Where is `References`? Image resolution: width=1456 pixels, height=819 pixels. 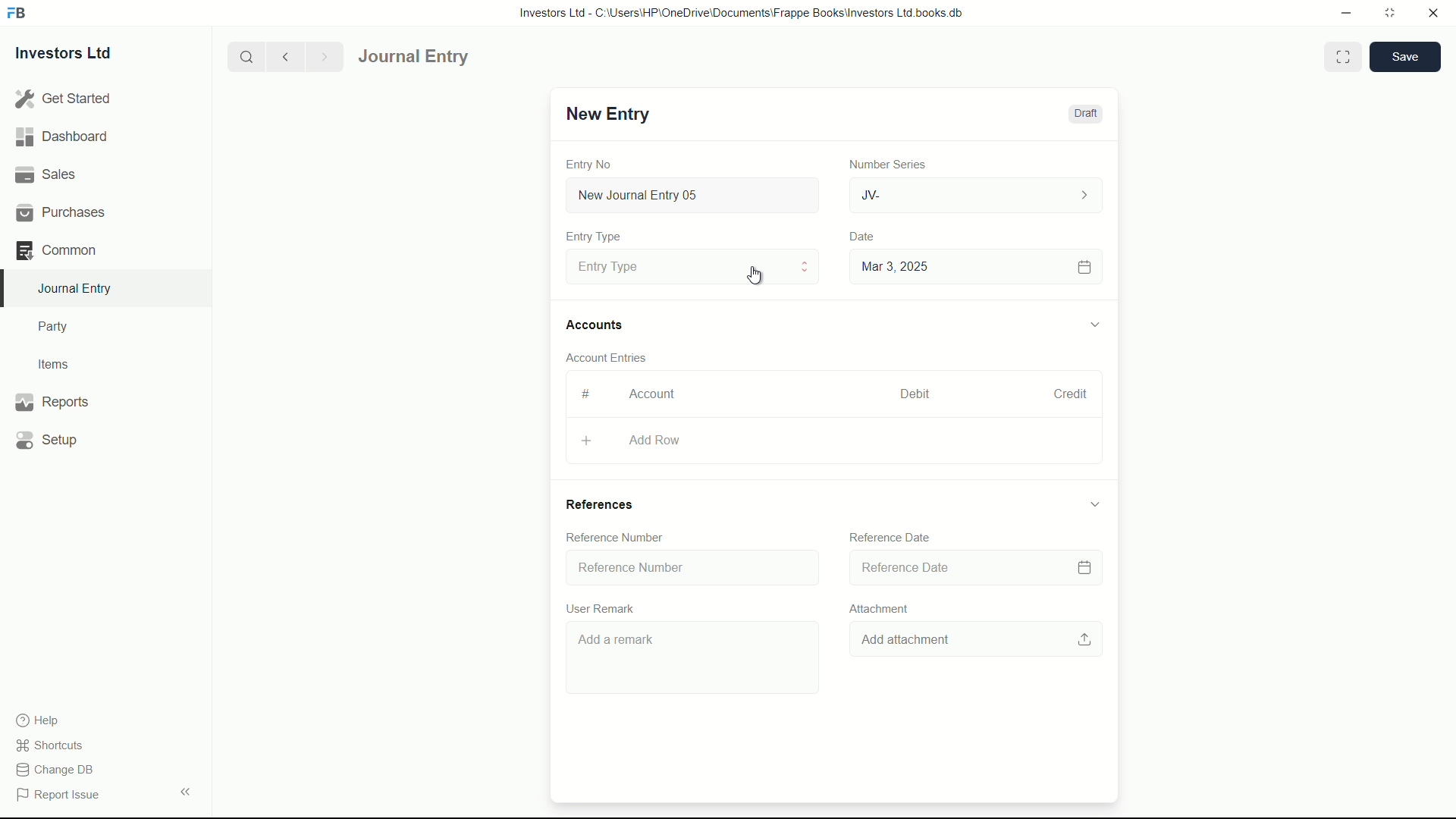
References is located at coordinates (601, 505).